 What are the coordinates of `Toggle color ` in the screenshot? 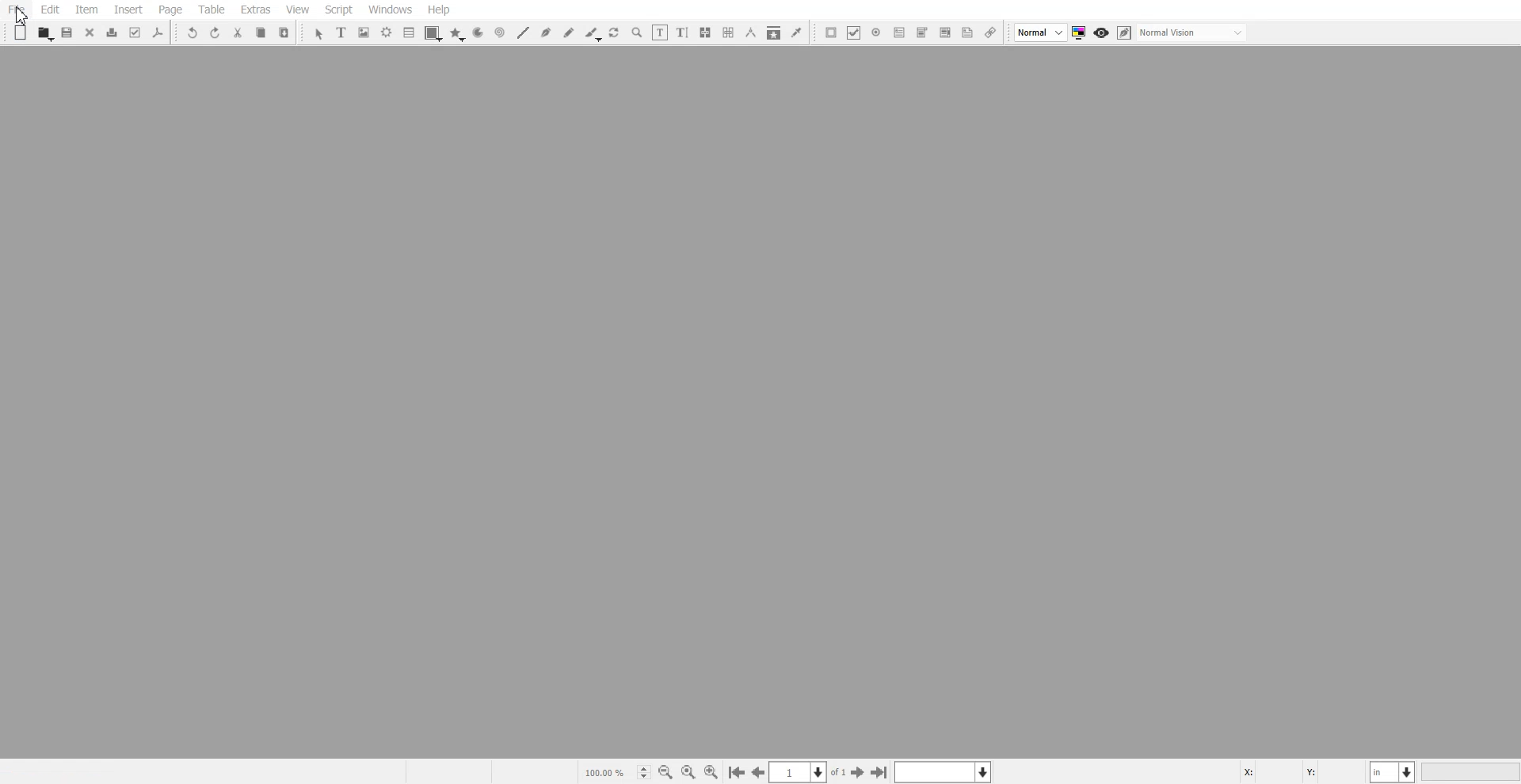 It's located at (1081, 33).